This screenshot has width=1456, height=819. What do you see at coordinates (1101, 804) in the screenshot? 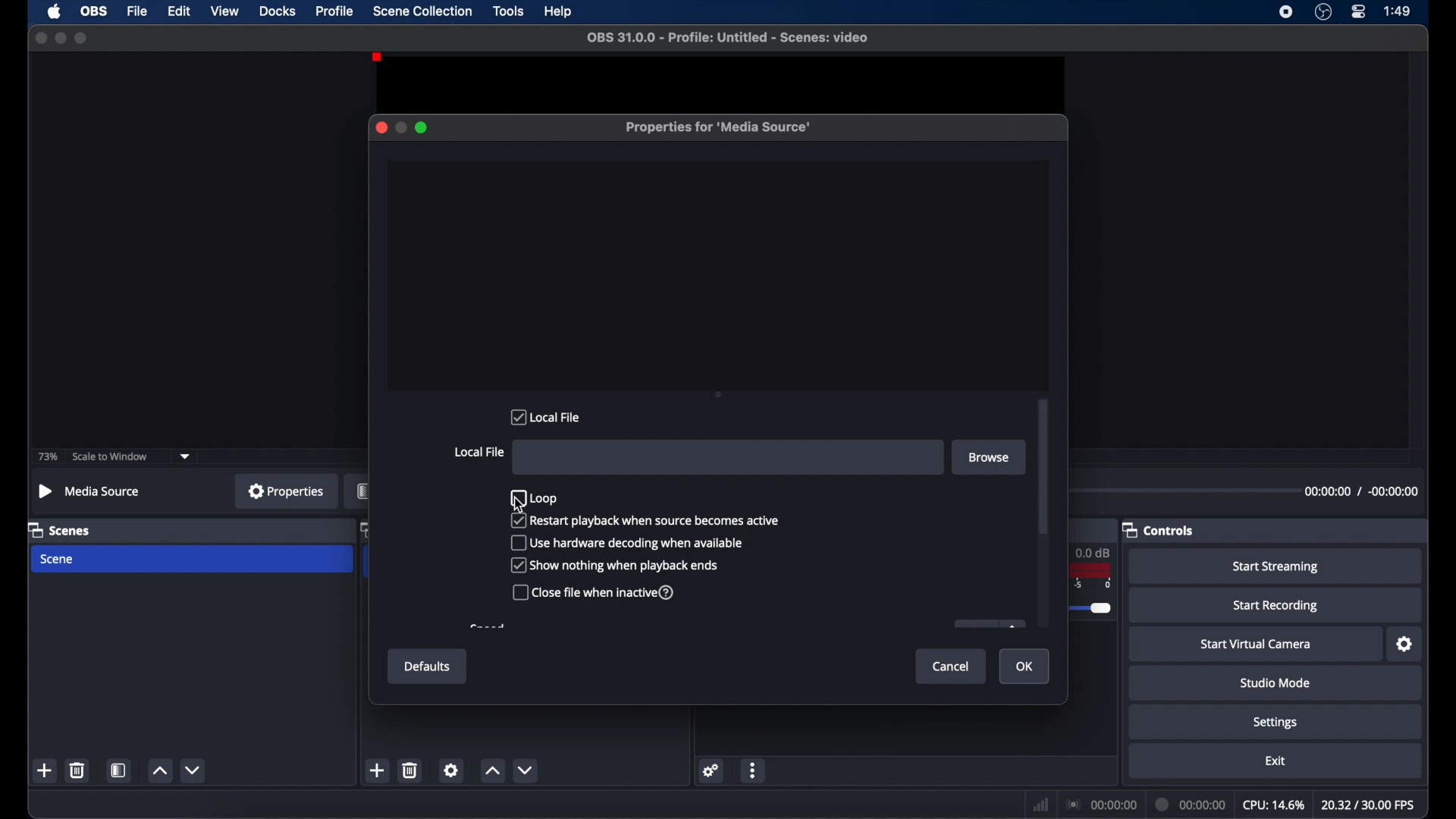
I see `` at bounding box center [1101, 804].